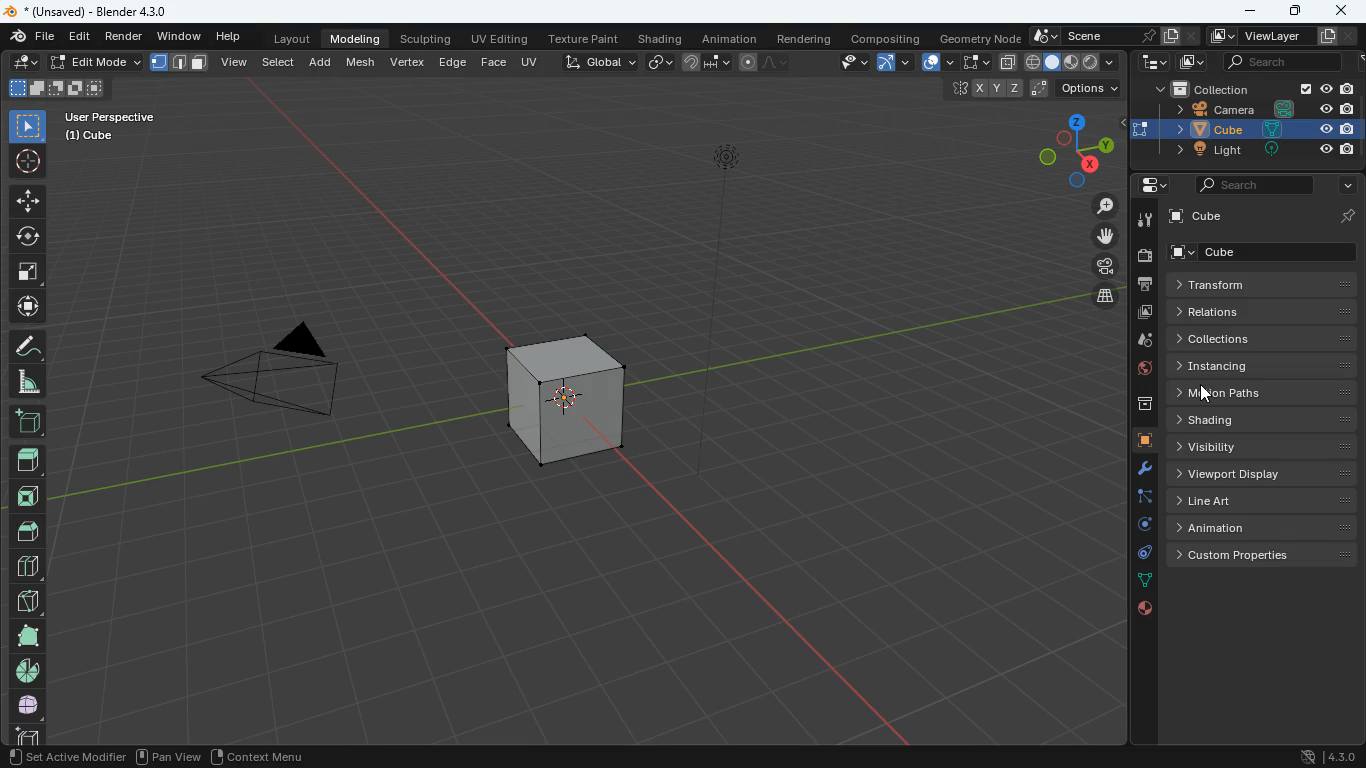  What do you see at coordinates (1268, 448) in the screenshot?
I see `visibility` at bounding box center [1268, 448].